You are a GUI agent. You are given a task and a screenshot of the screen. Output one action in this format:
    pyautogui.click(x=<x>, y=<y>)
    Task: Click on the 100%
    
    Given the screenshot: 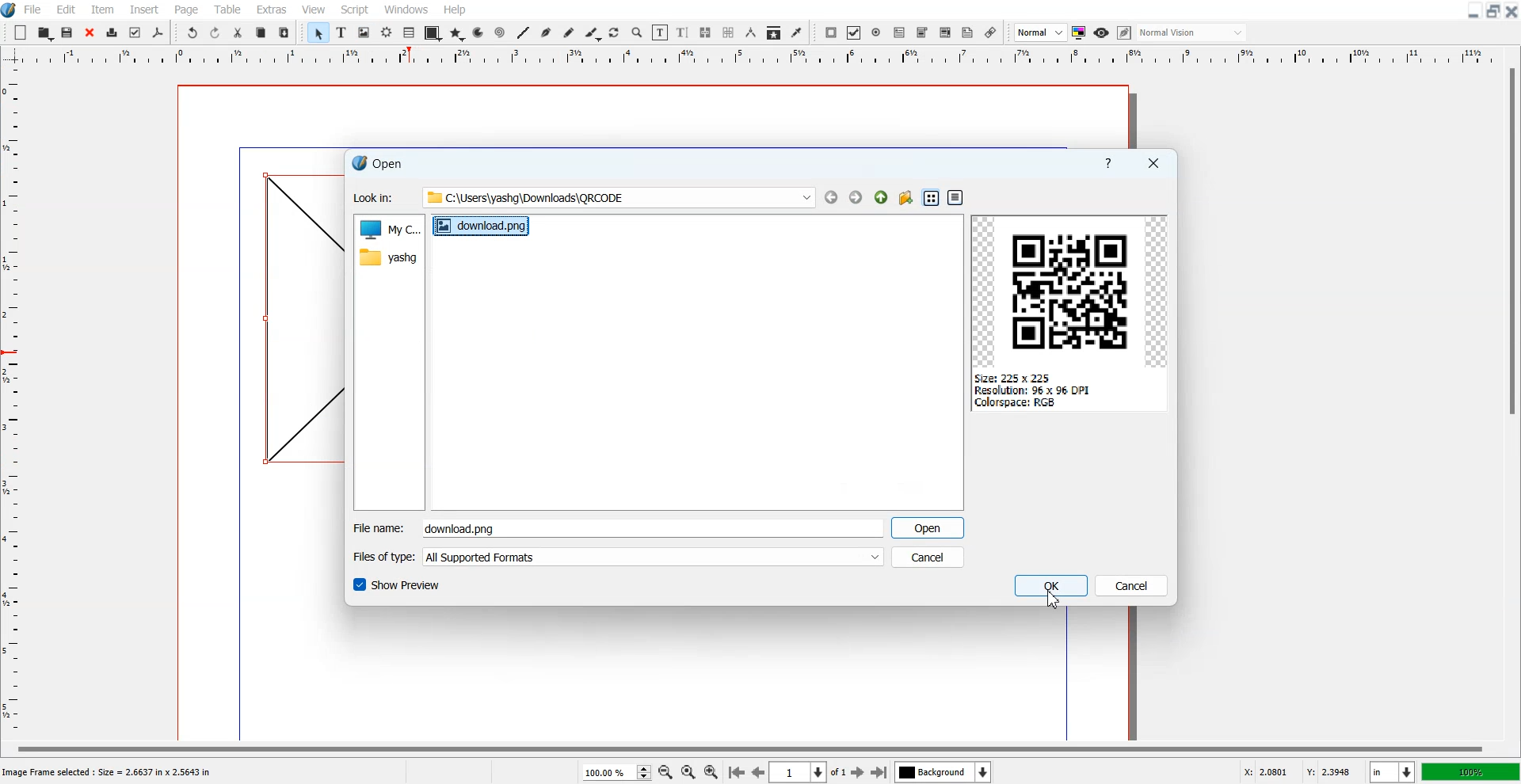 What is the action you would take?
    pyautogui.click(x=1470, y=771)
    